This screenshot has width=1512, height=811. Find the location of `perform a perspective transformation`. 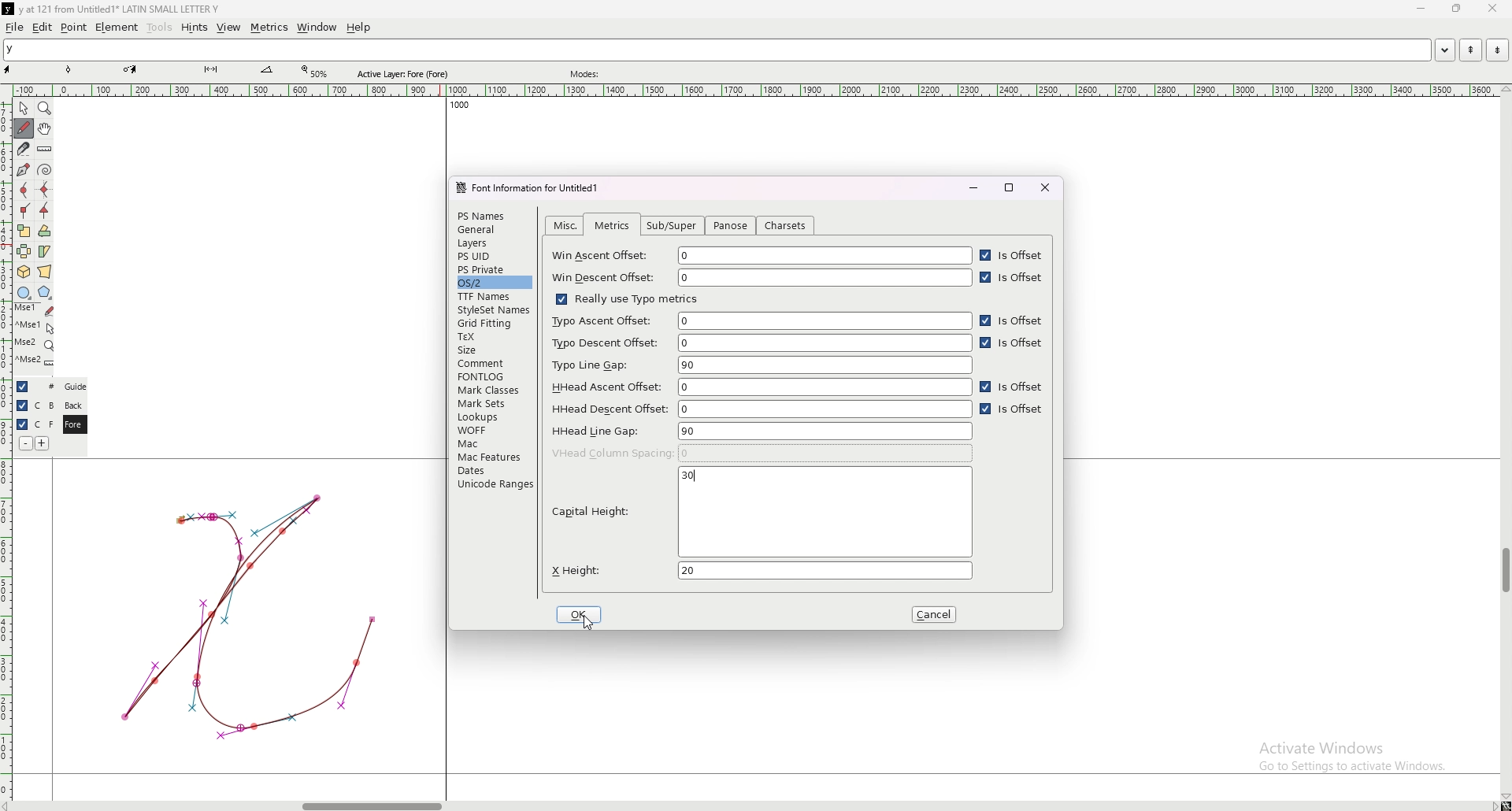

perform a perspective transformation is located at coordinates (45, 272).